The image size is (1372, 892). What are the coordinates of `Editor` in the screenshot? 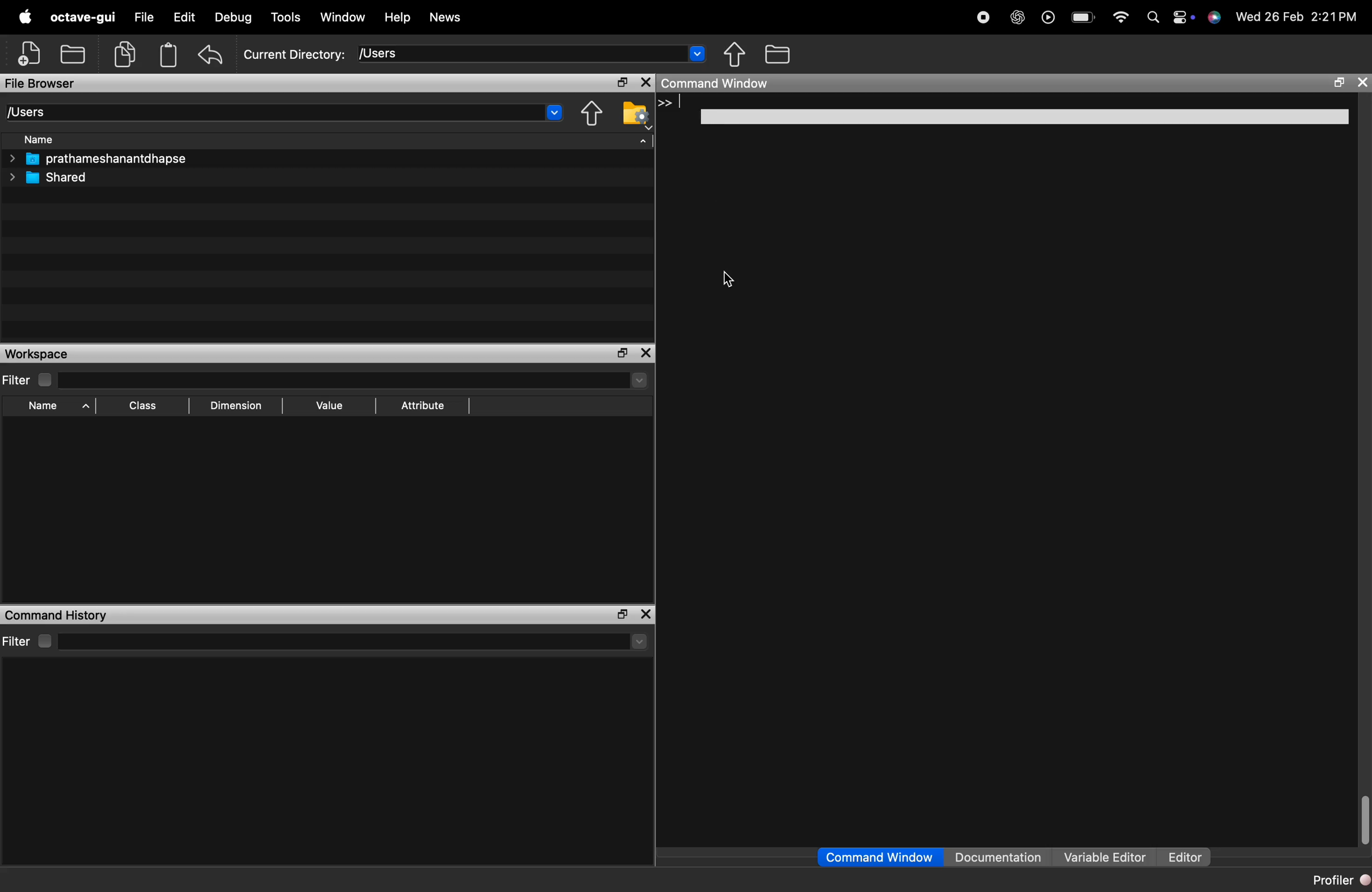 It's located at (1190, 856).